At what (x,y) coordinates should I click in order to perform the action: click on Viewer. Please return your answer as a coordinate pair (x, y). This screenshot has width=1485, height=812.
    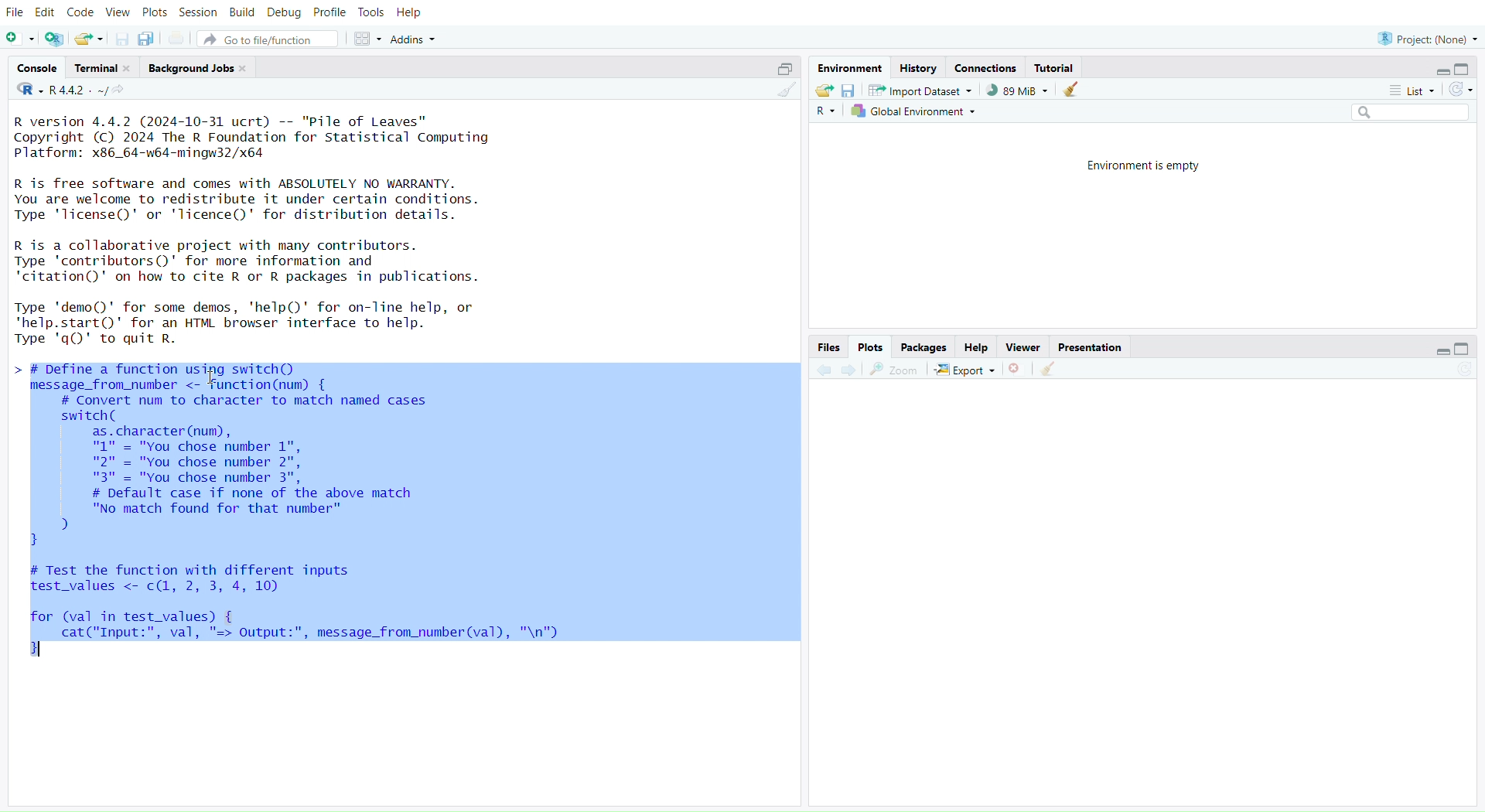
    Looking at the image, I should click on (1021, 346).